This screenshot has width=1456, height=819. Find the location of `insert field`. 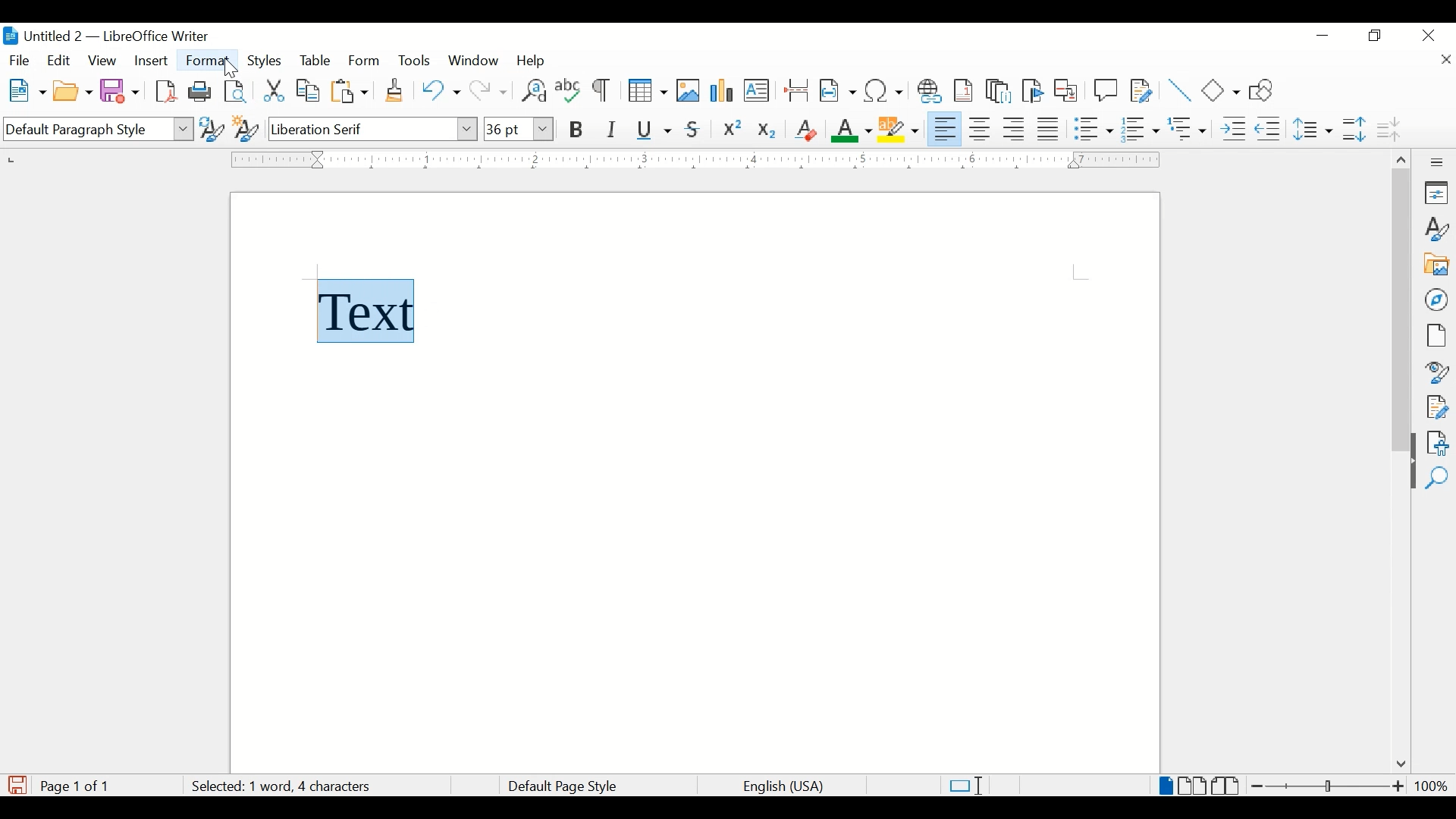

insert field is located at coordinates (838, 90).